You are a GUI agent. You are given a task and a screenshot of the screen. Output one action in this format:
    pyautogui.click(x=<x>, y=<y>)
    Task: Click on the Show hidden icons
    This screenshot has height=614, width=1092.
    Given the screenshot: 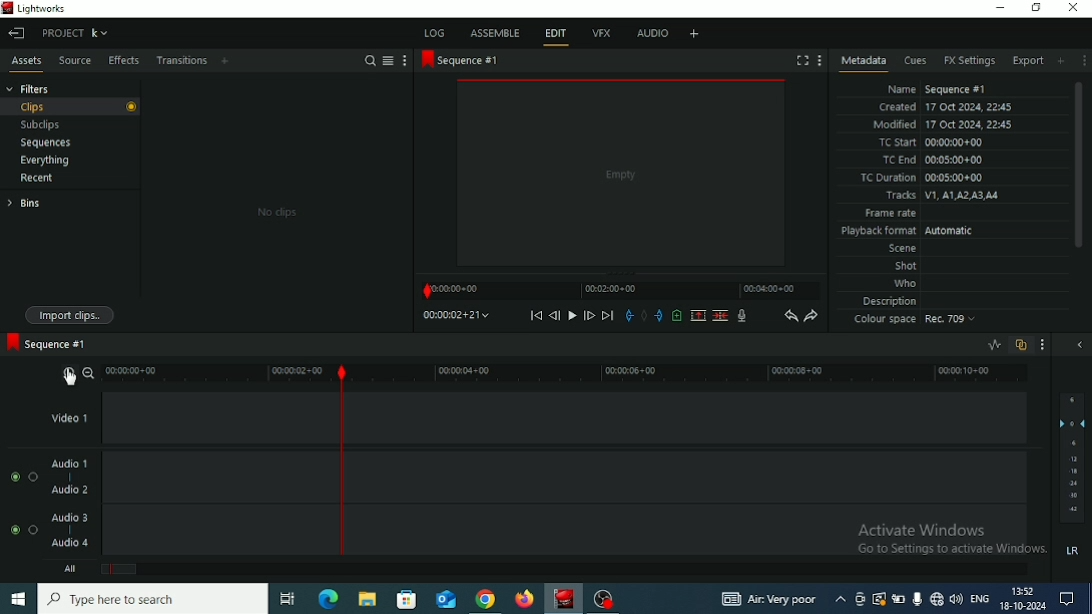 What is the action you would take?
    pyautogui.click(x=840, y=599)
    